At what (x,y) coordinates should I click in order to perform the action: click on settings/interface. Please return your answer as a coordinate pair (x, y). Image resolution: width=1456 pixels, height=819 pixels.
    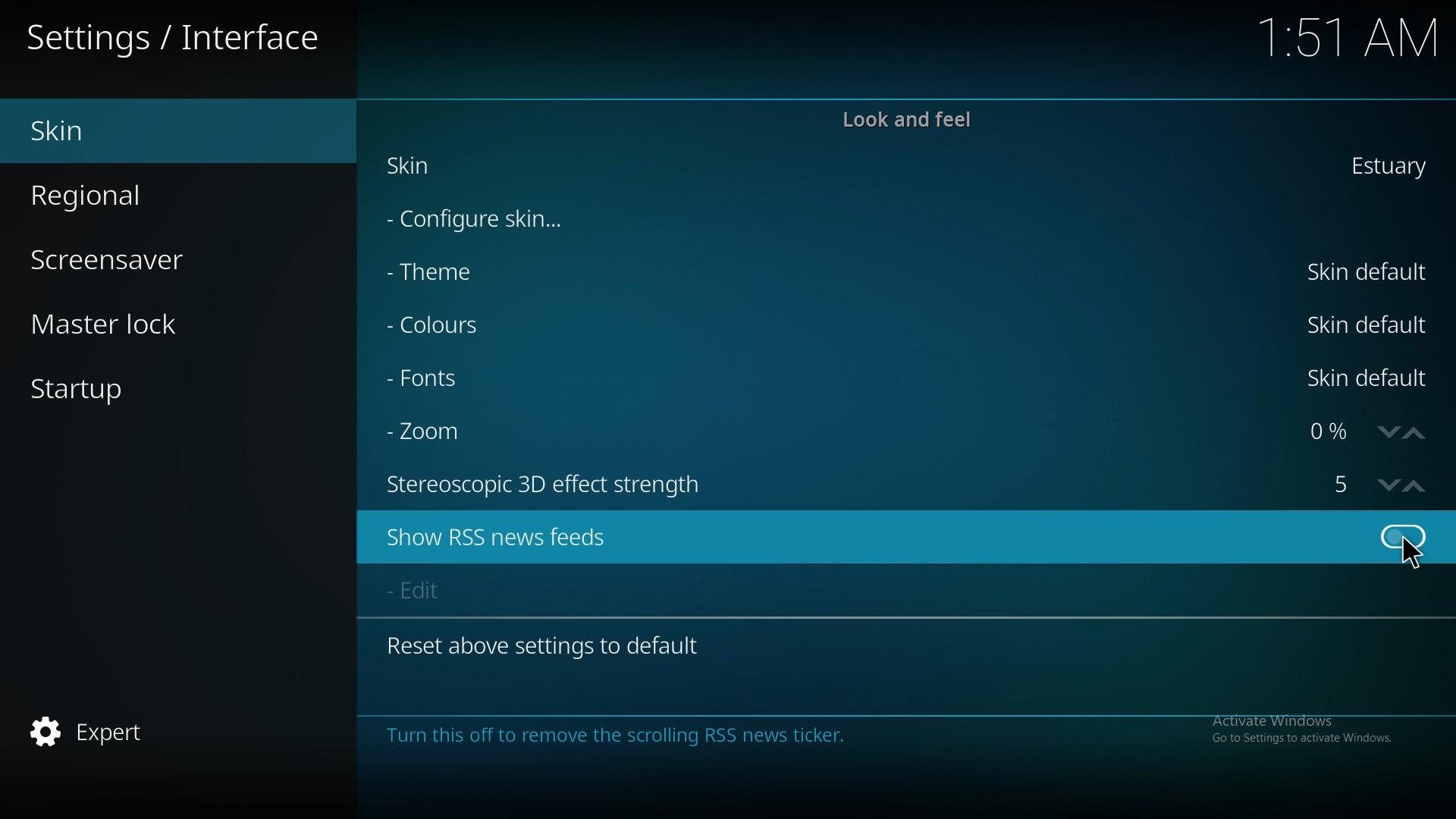
    Looking at the image, I should click on (178, 40).